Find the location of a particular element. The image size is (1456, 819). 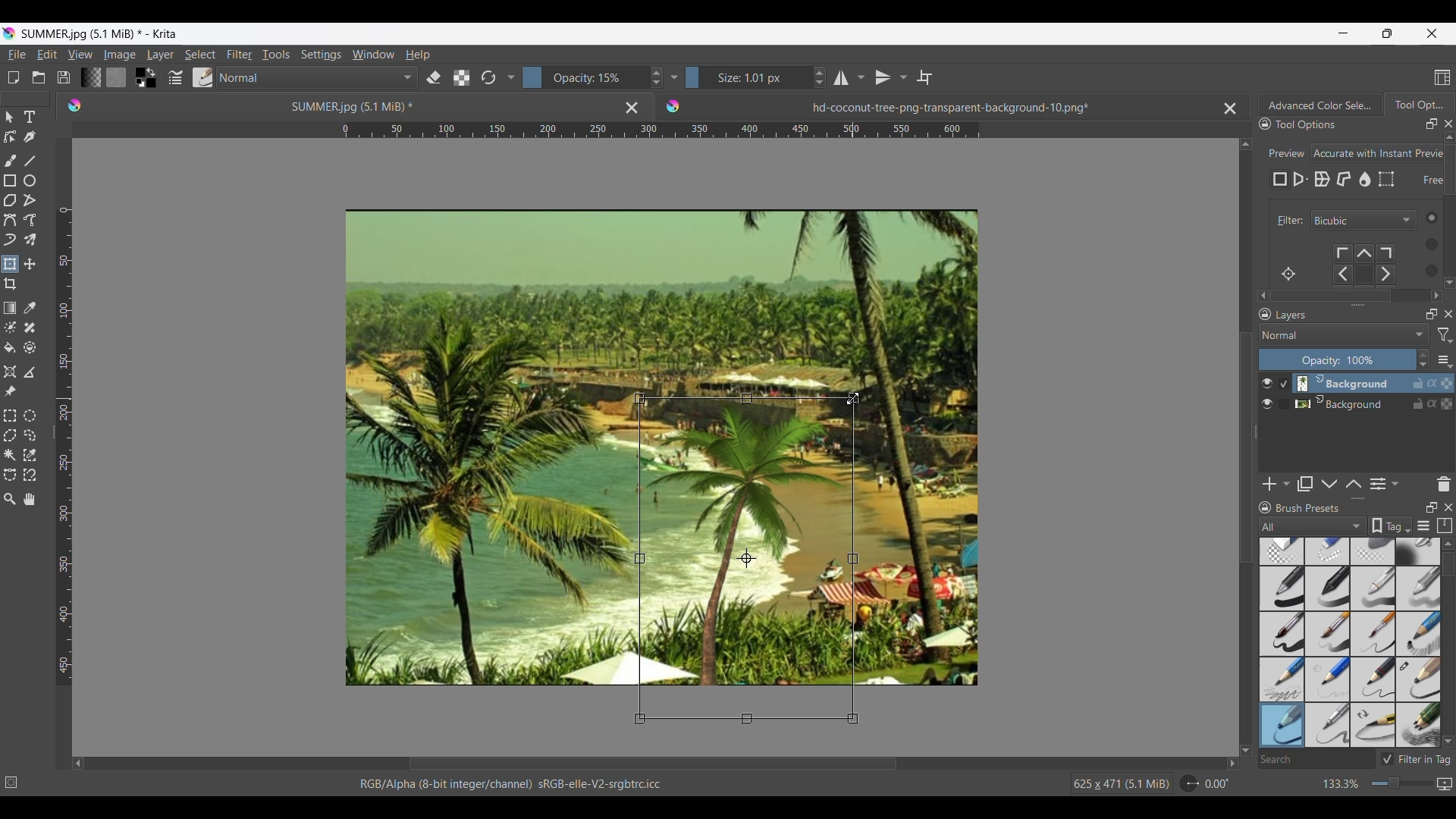

Controls is located at coordinates (1371, 265).